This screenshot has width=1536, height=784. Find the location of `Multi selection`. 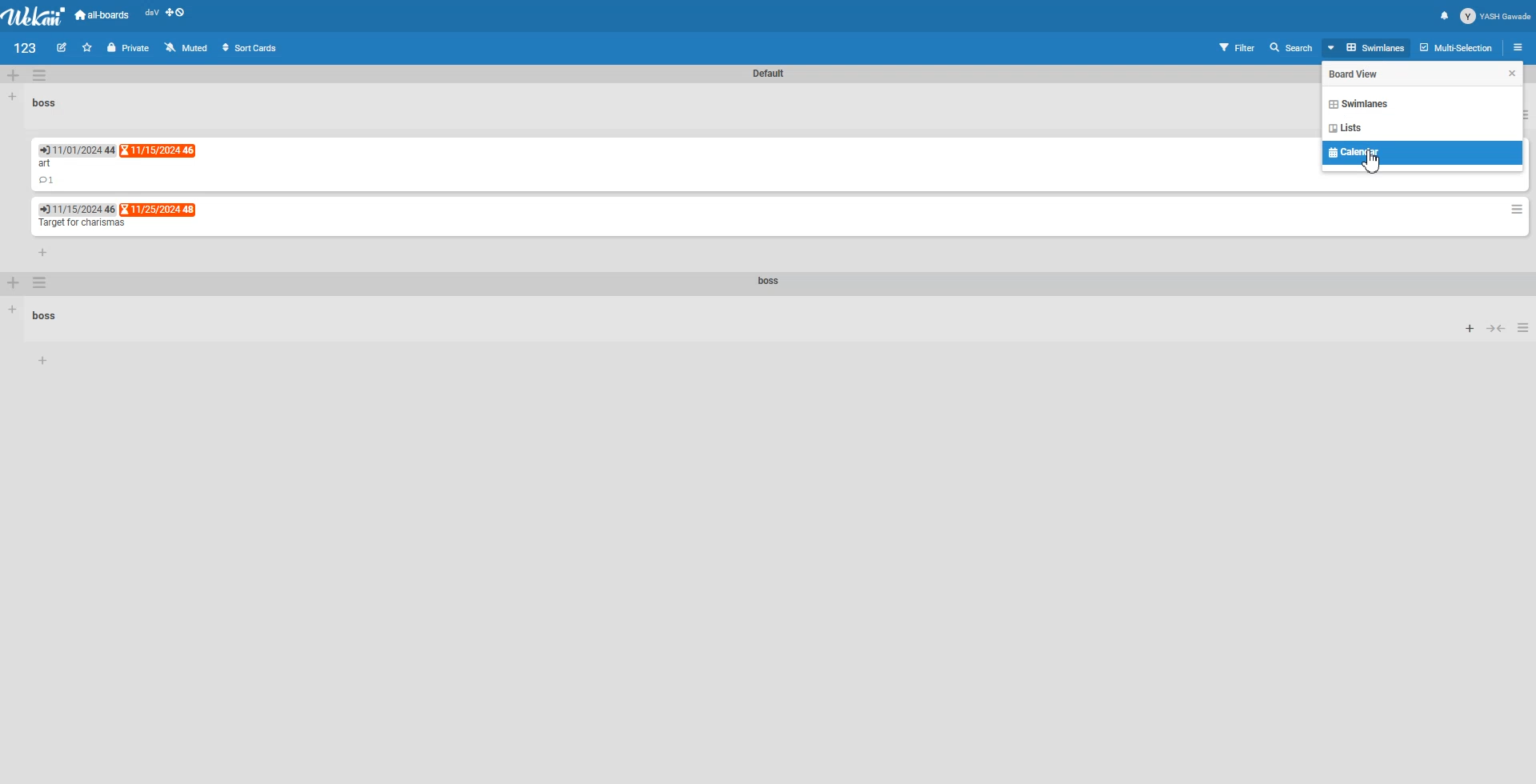

Multi selection is located at coordinates (1458, 47).